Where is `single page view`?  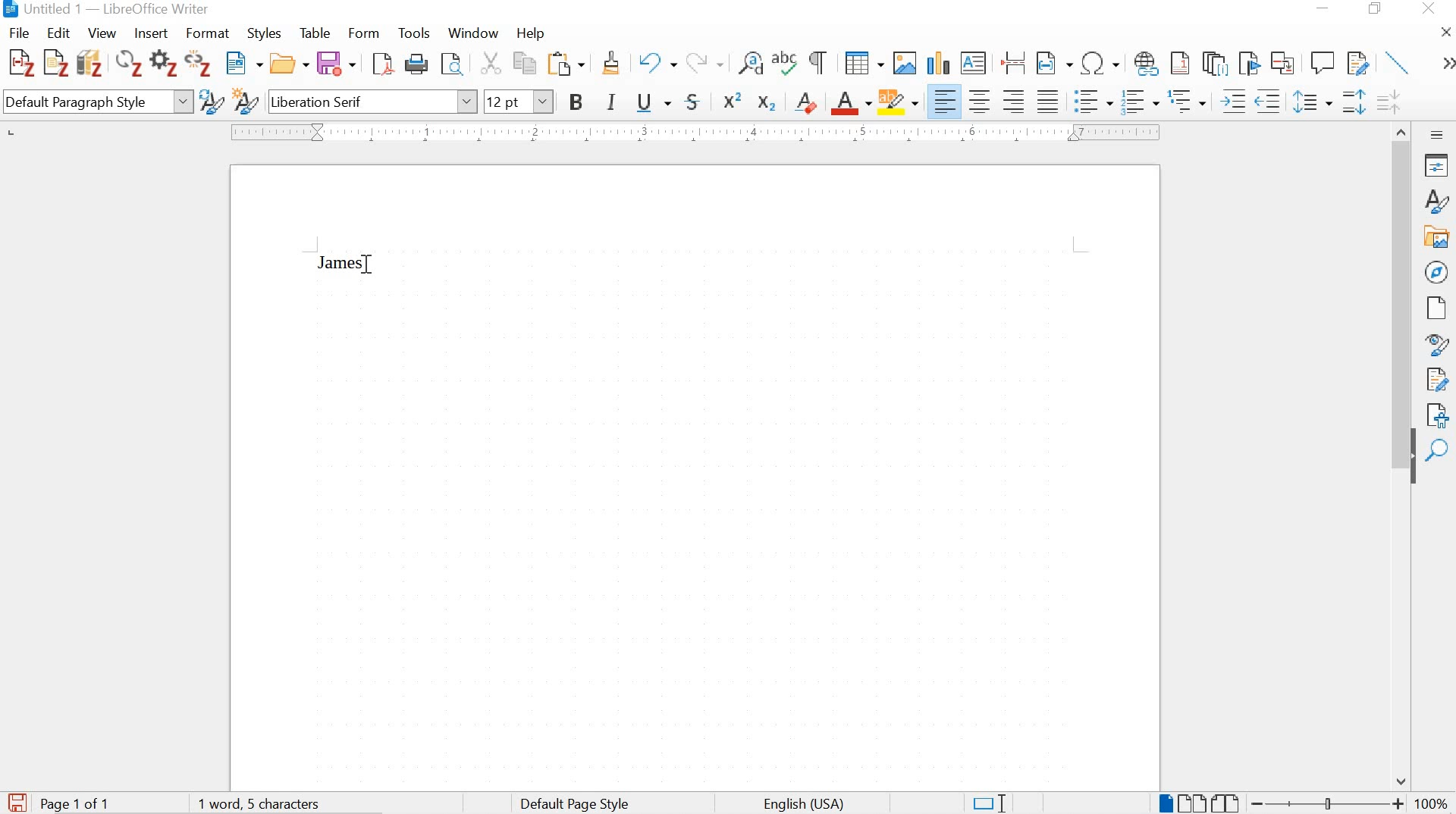
single page view is located at coordinates (1164, 803).